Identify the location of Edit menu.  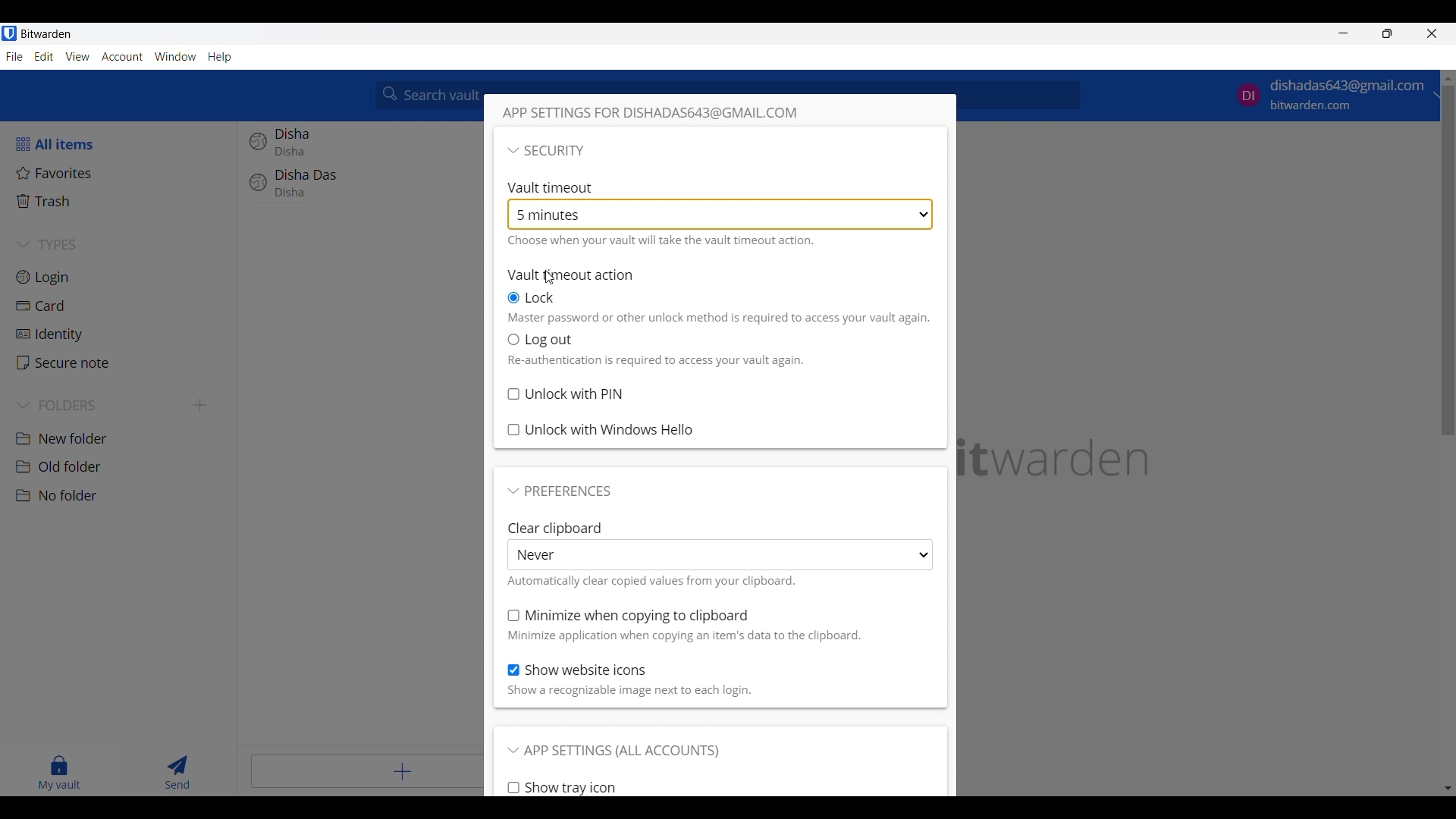
(44, 56).